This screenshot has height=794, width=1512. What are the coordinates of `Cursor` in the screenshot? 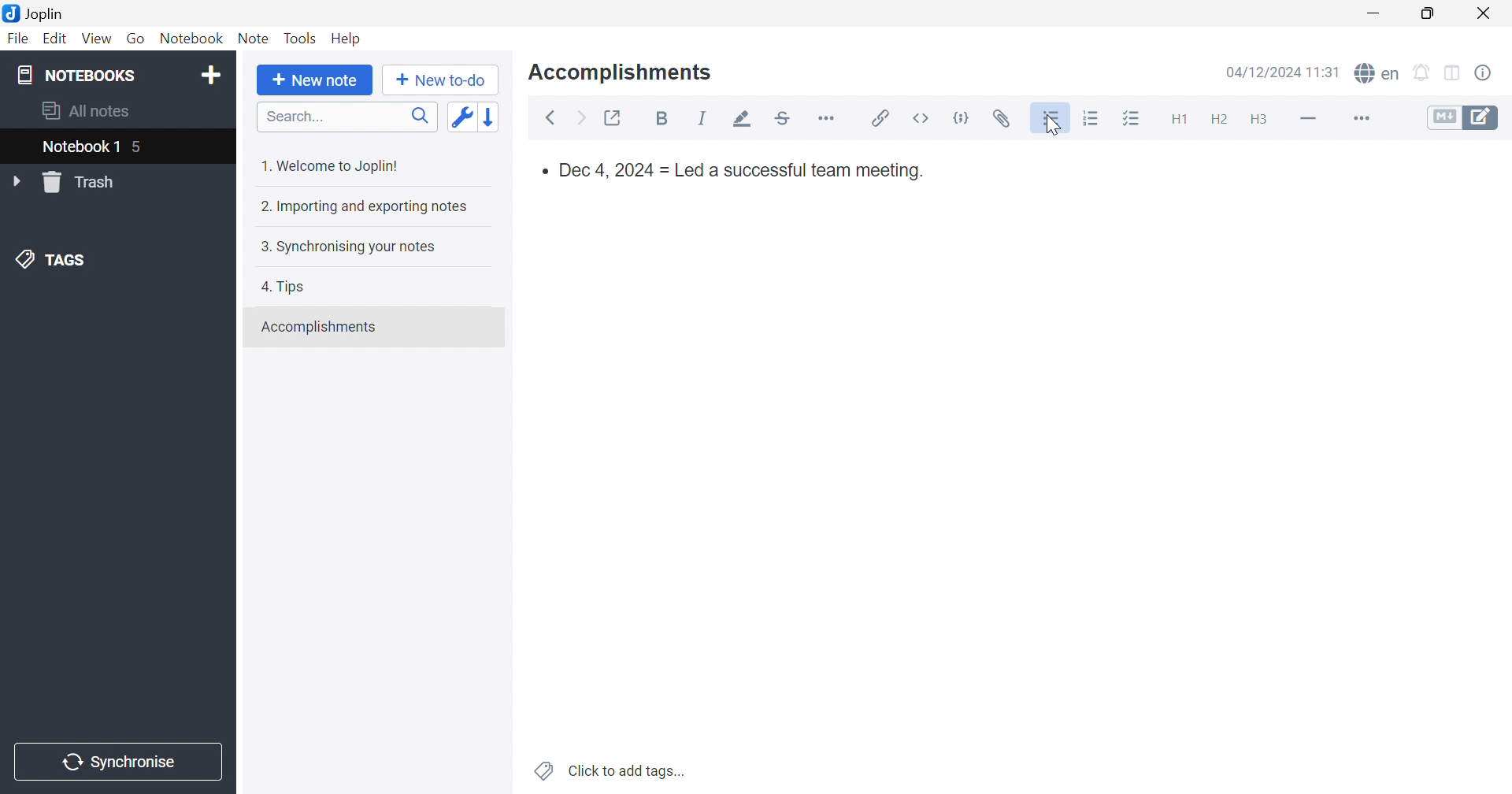 It's located at (1048, 127).